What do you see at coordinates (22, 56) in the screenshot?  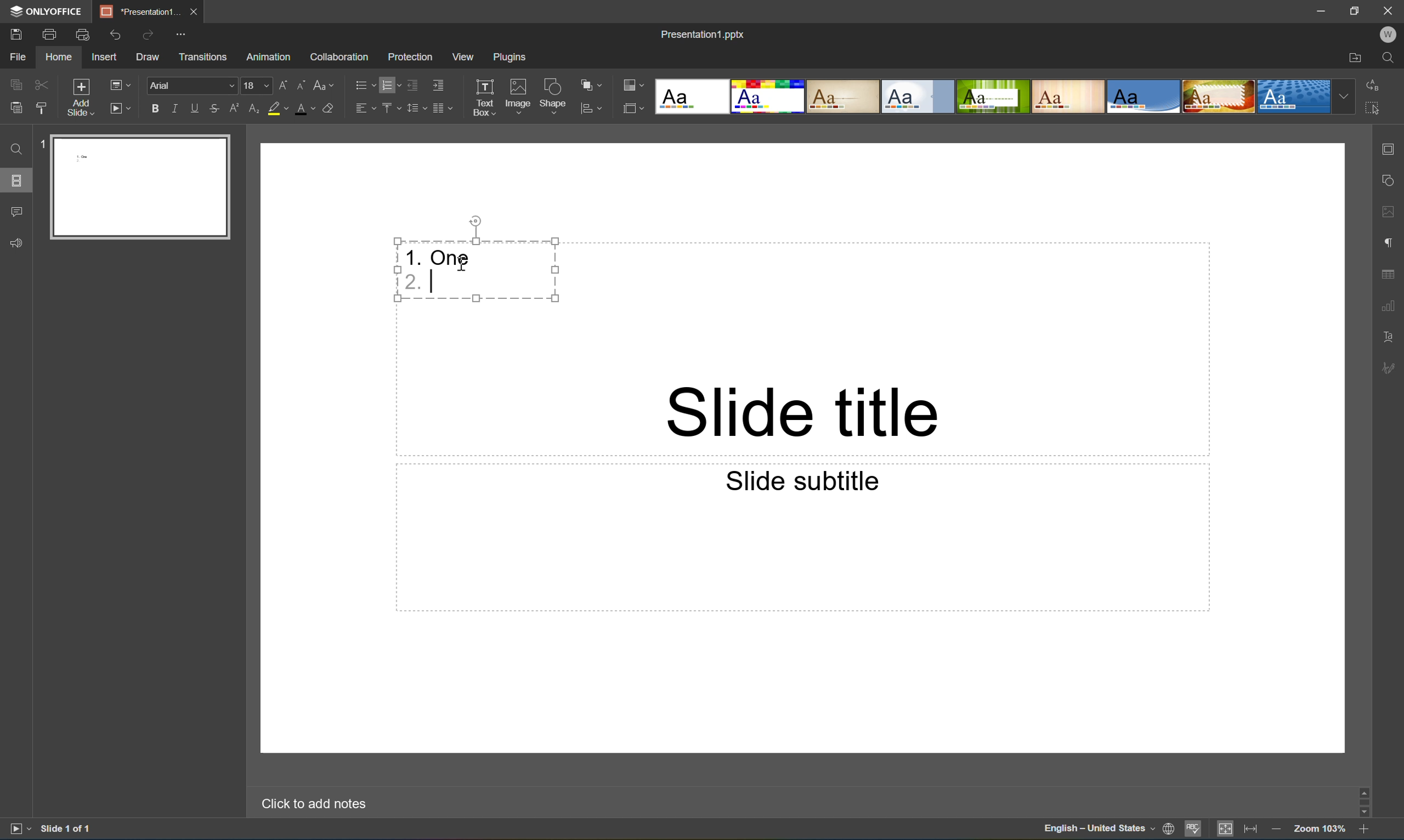 I see `File` at bounding box center [22, 56].